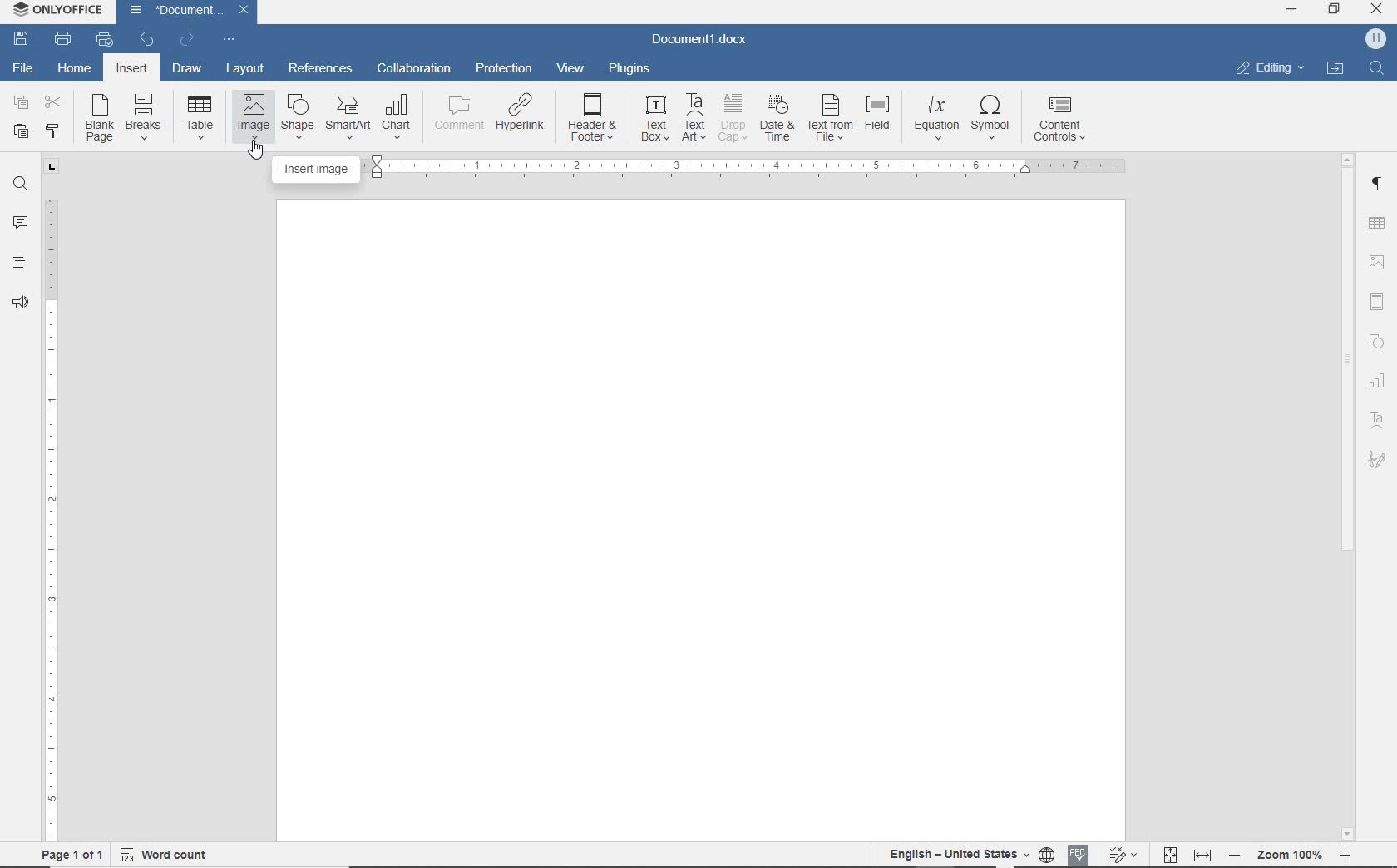  What do you see at coordinates (698, 40) in the screenshot?
I see `Document1.docx(document name)` at bounding box center [698, 40].